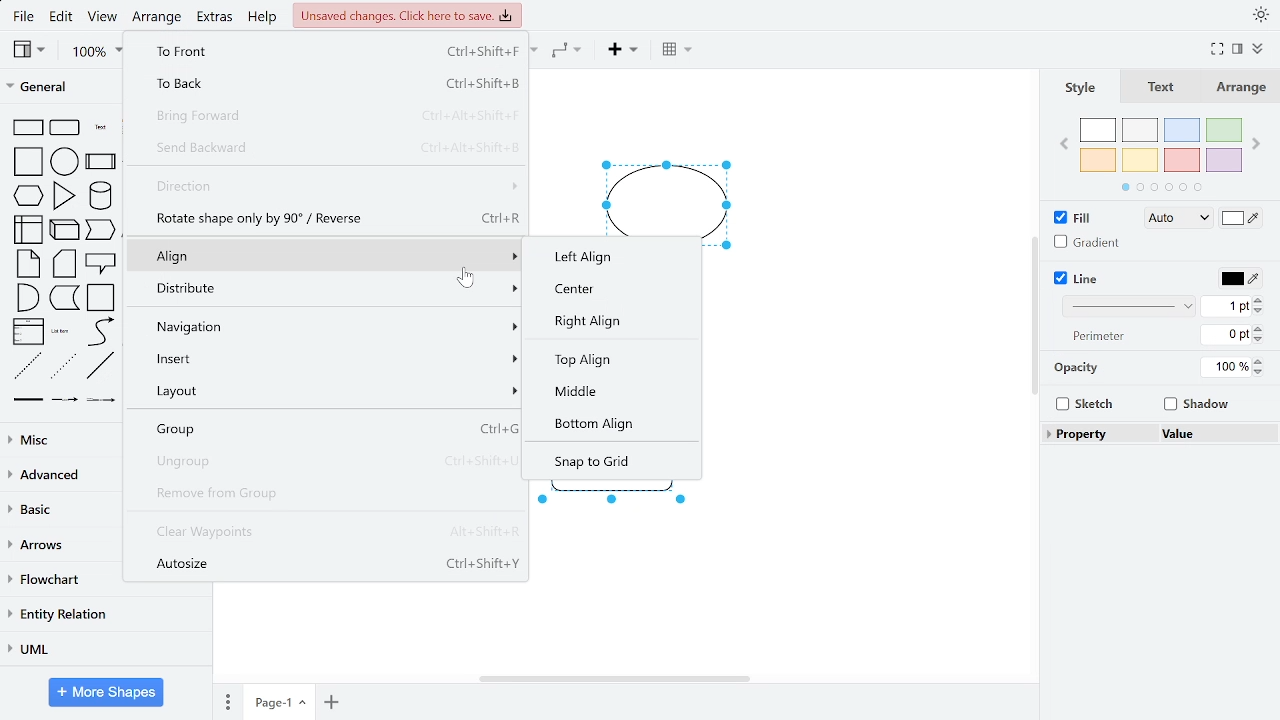  Describe the element at coordinates (612, 323) in the screenshot. I see `right align` at that location.